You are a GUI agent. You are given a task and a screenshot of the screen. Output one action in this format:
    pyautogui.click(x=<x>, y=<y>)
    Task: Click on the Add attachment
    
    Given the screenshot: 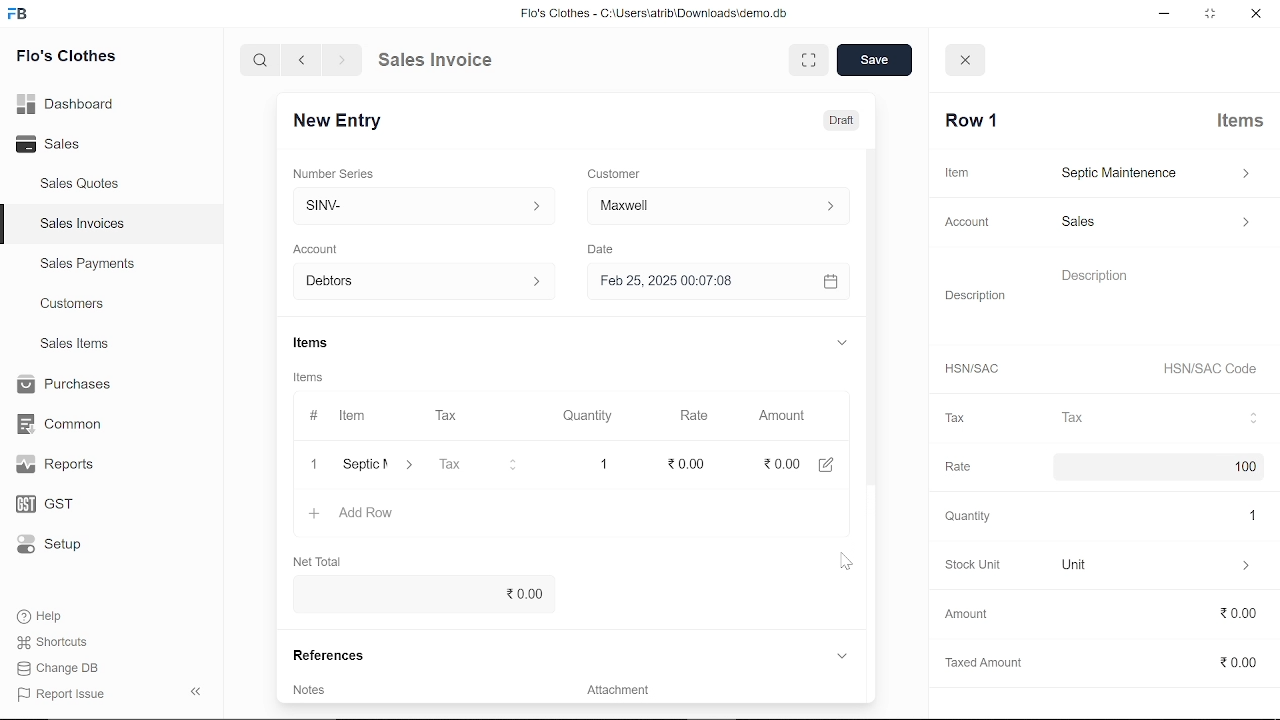 What is the action you would take?
    pyautogui.click(x=715, y=687)
    